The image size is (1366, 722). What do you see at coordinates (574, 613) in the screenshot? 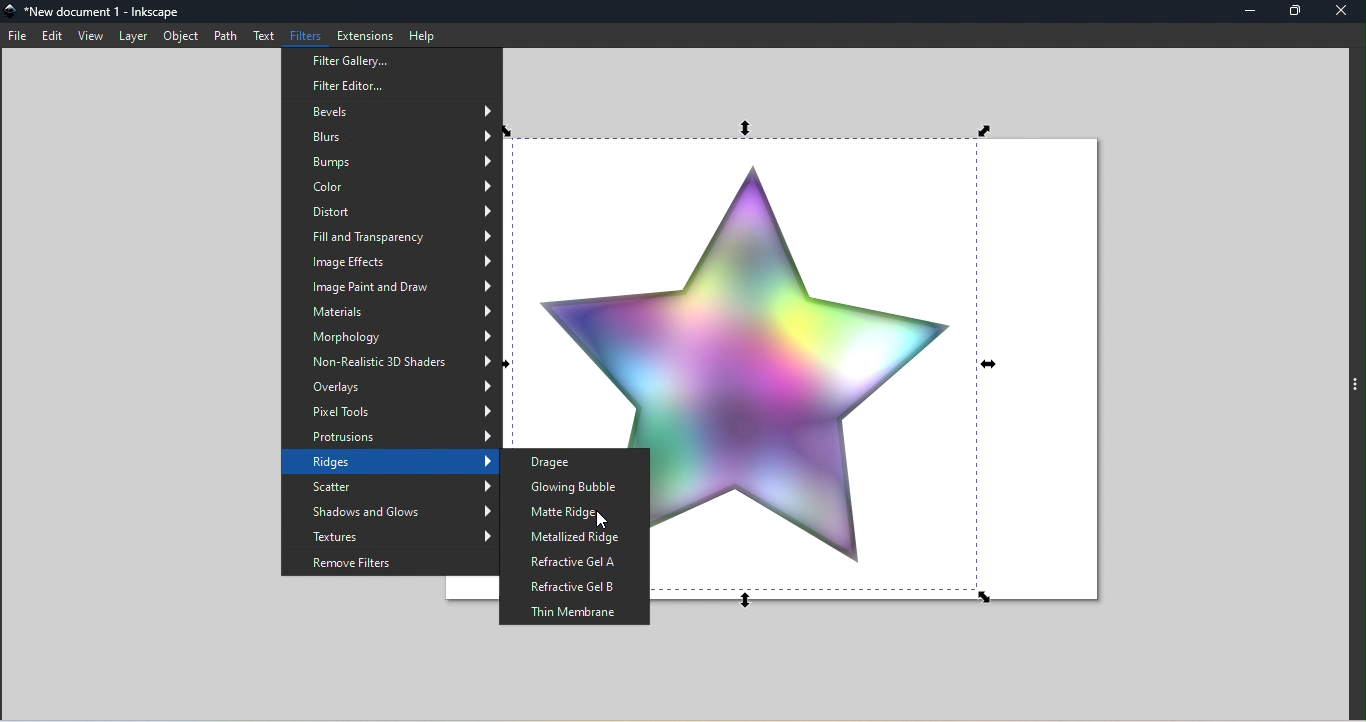
I see `Thin Membrane` at bounding box center [574, 613].